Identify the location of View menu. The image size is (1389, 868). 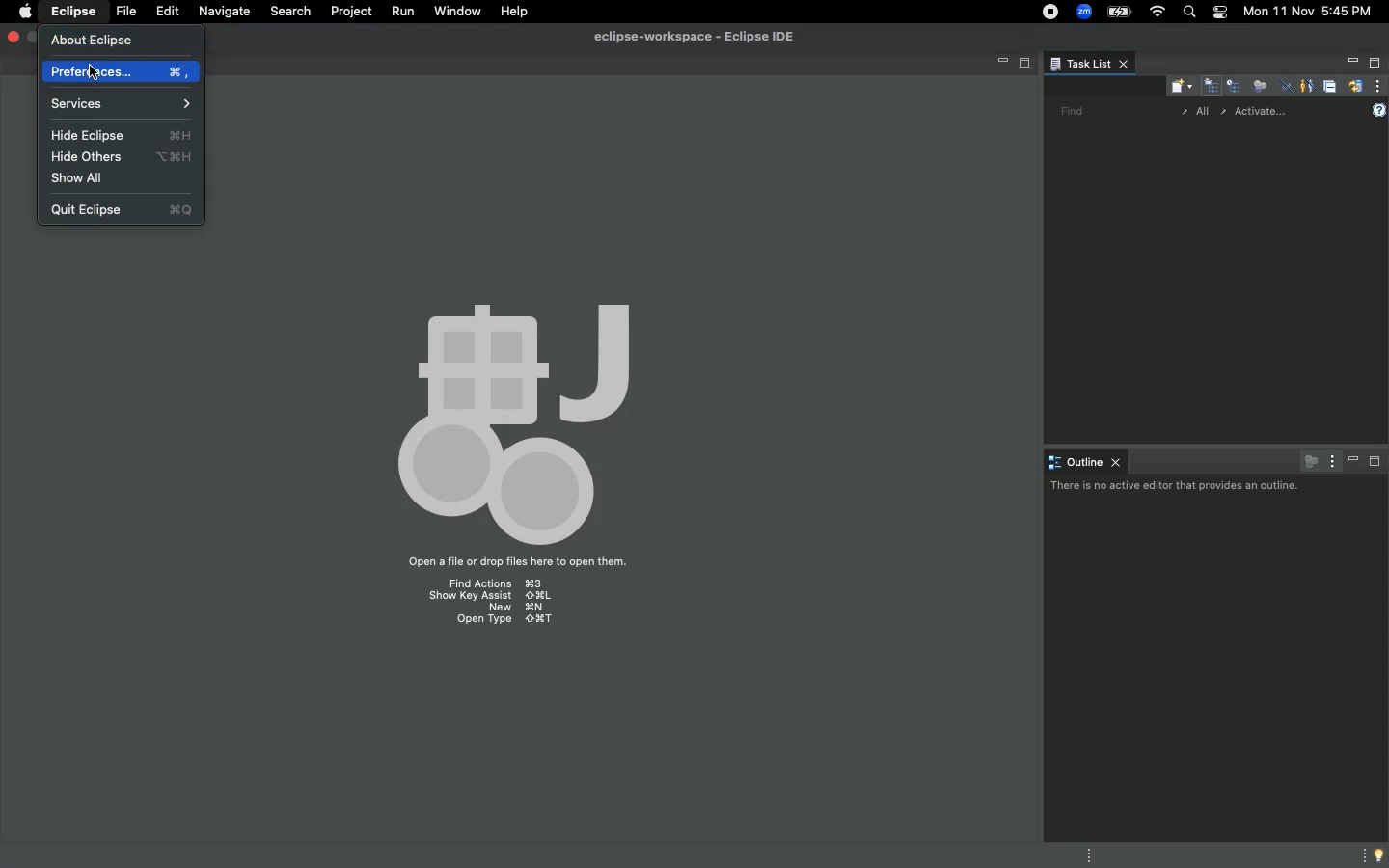
(1379, 86).